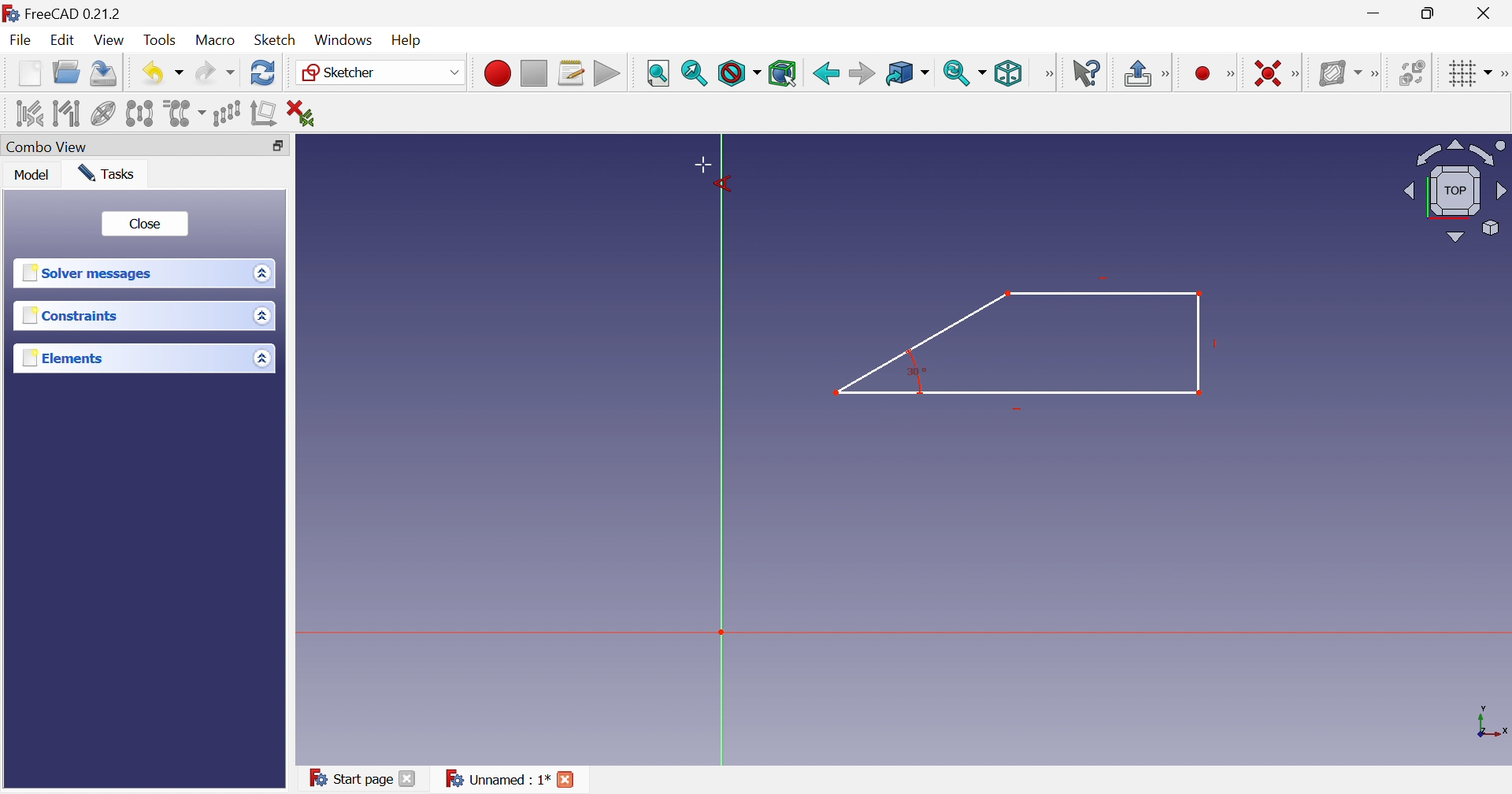 The image size is (1512, 794). Describe the element at coordinates (899, 72) in the screenshot. I see `Go to linked object` at that location.